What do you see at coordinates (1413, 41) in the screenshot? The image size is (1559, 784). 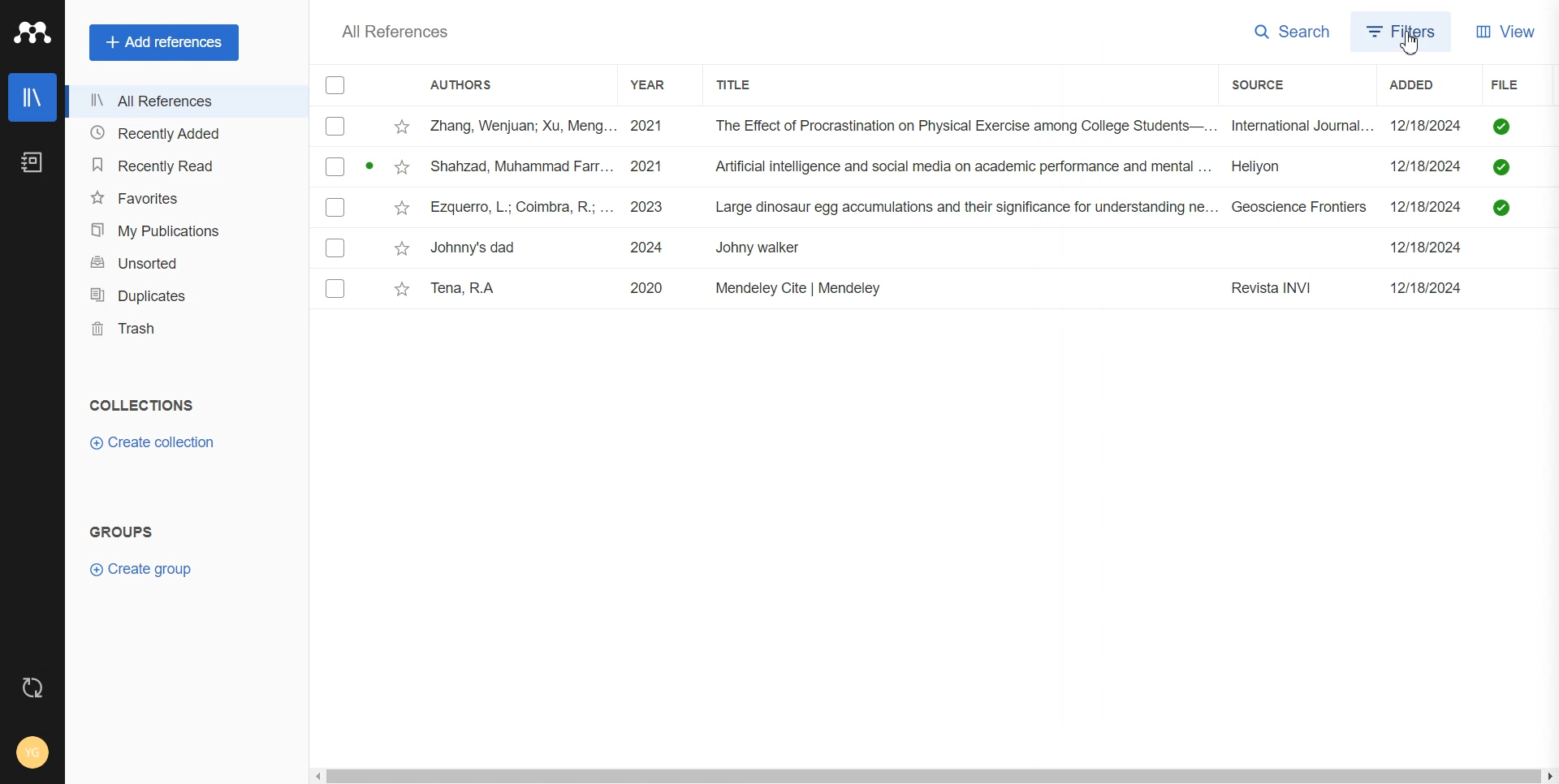 I see `Cursor` at bounding box center [1413, 41].